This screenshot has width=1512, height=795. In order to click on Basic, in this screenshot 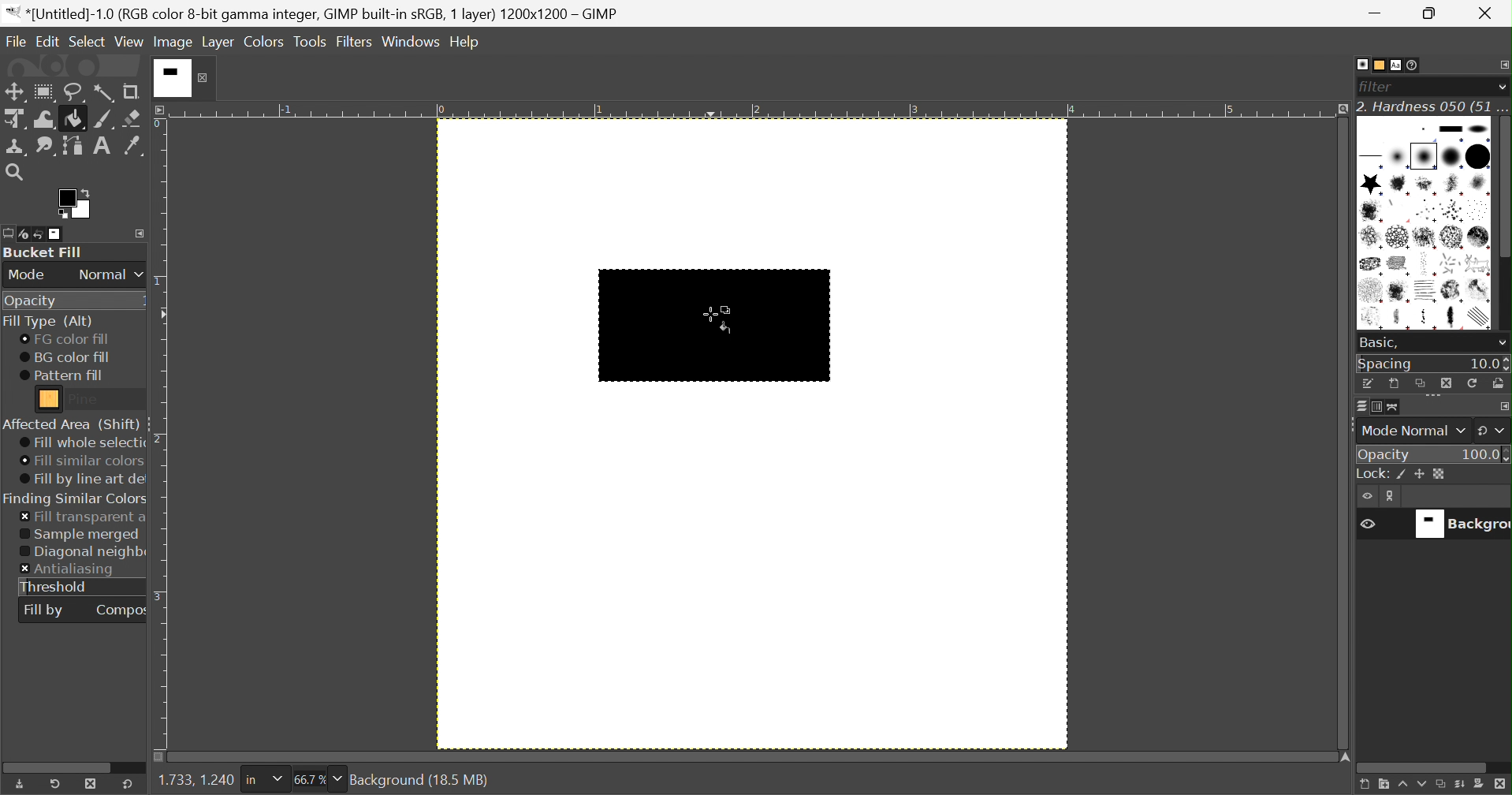, I will do `click(1379, 342)`.